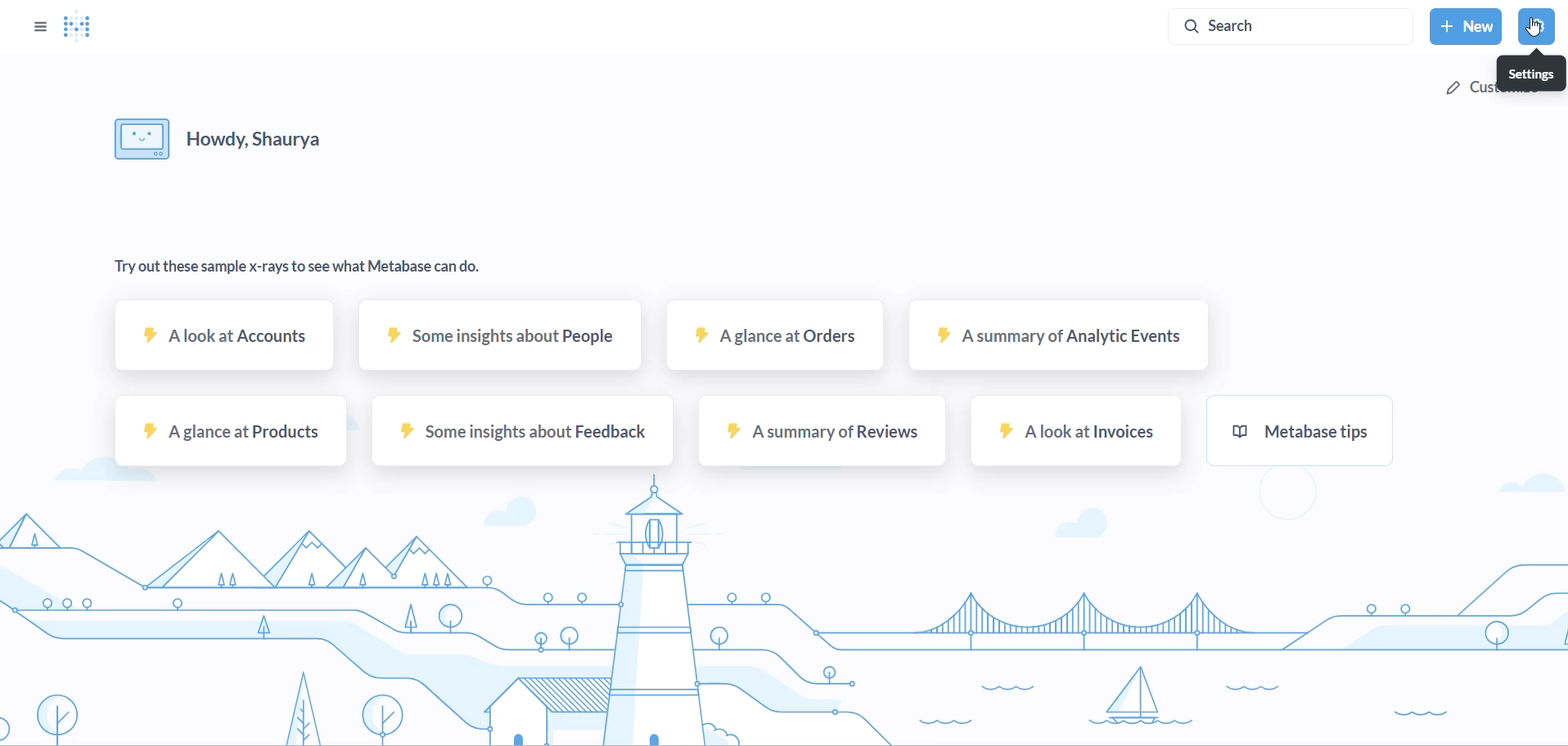 The height and width of the screenshot is (746, 1568). I want to click on , so click(1467, 28).